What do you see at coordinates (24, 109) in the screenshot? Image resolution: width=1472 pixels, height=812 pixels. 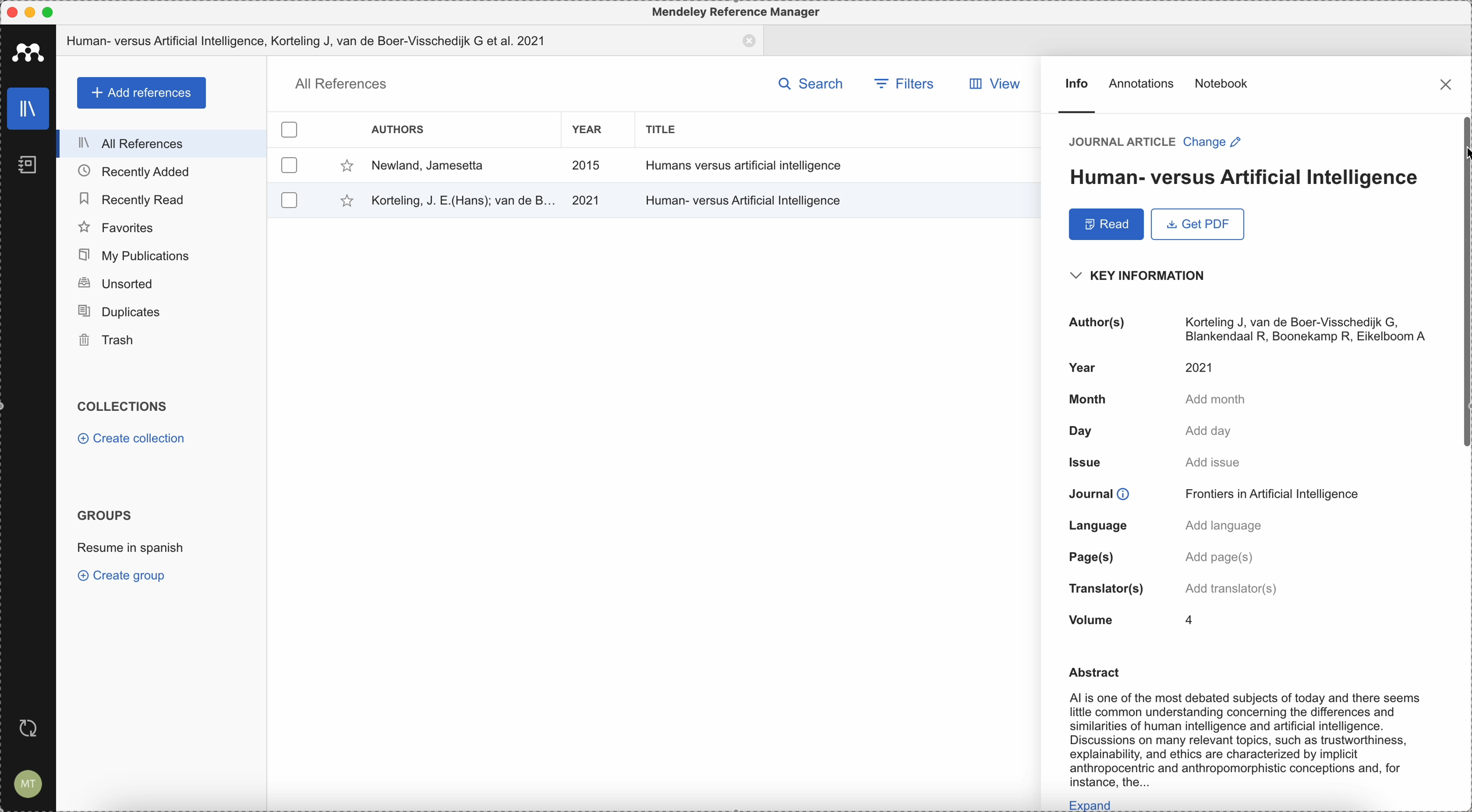 I see `library` at bounding box center [24, 109].